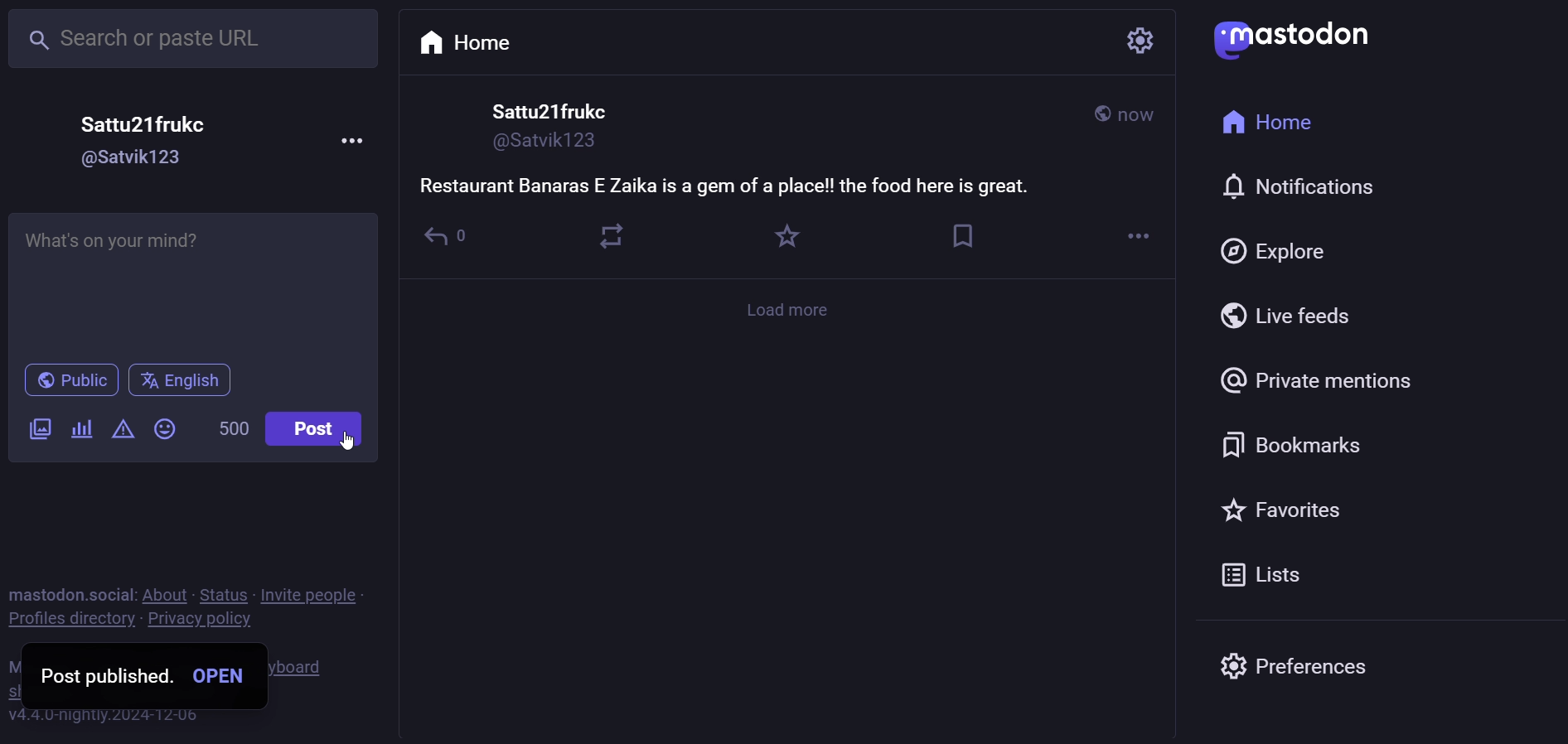 The height and width of the screenshot is (744, 1568). Describe the element at coordinates (1290, 660) in the screenshot. I see `preference` at that location.